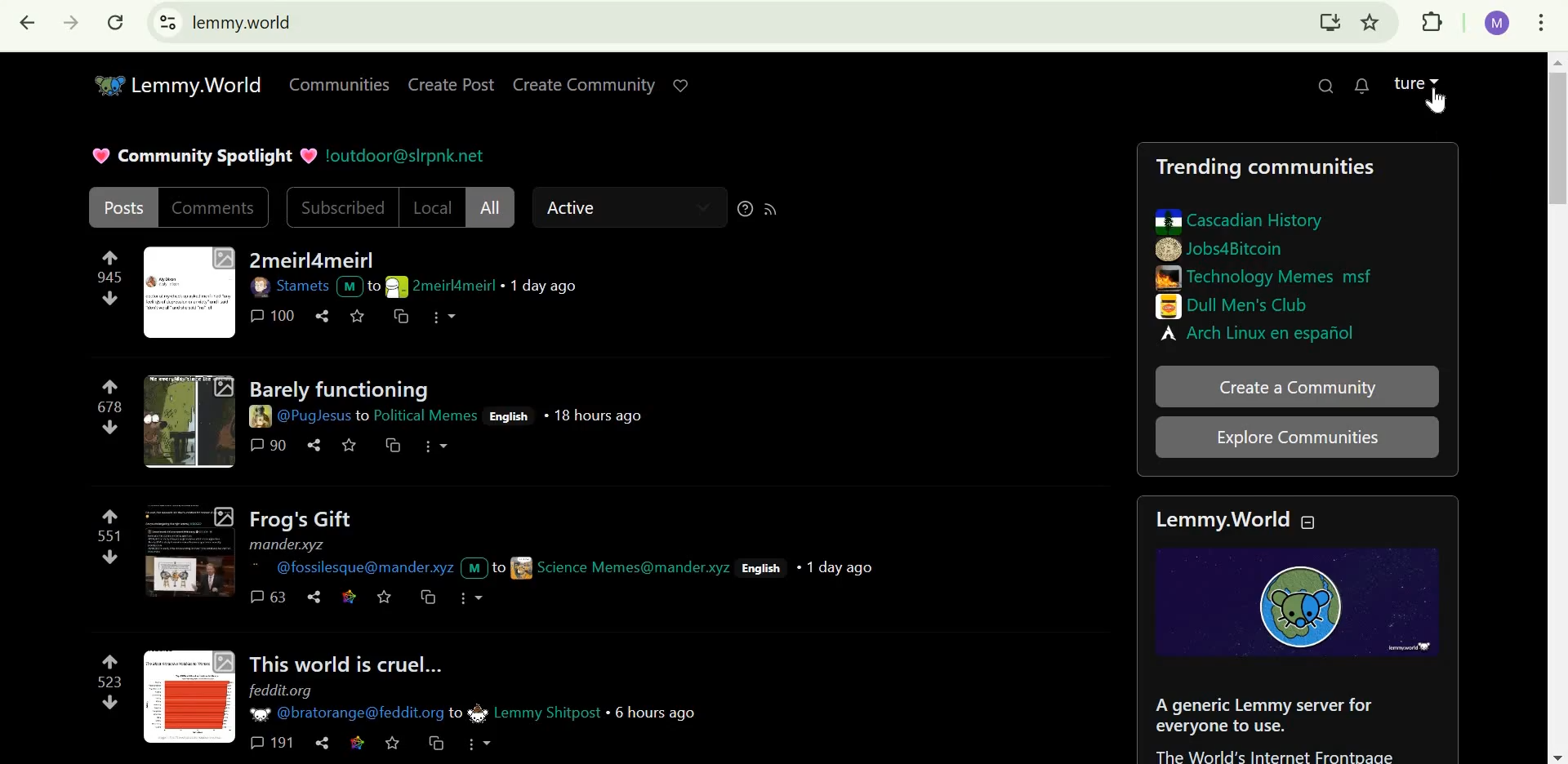  I want to click on English, so click(510, 416).